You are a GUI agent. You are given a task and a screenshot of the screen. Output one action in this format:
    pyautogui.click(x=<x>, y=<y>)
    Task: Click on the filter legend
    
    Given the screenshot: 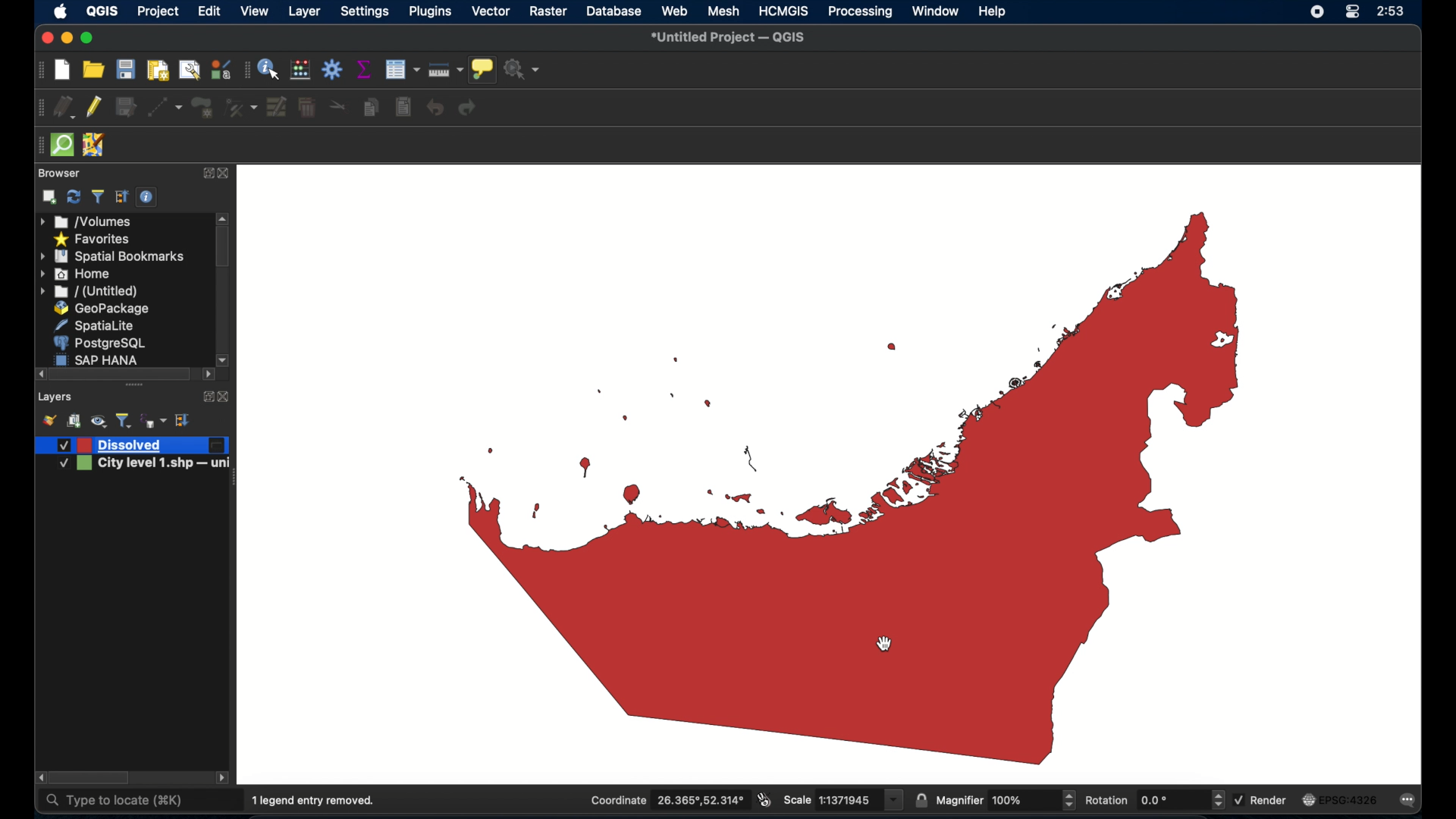 What is the action you would take?
    pyautogui.click(x=97, y=197)
    